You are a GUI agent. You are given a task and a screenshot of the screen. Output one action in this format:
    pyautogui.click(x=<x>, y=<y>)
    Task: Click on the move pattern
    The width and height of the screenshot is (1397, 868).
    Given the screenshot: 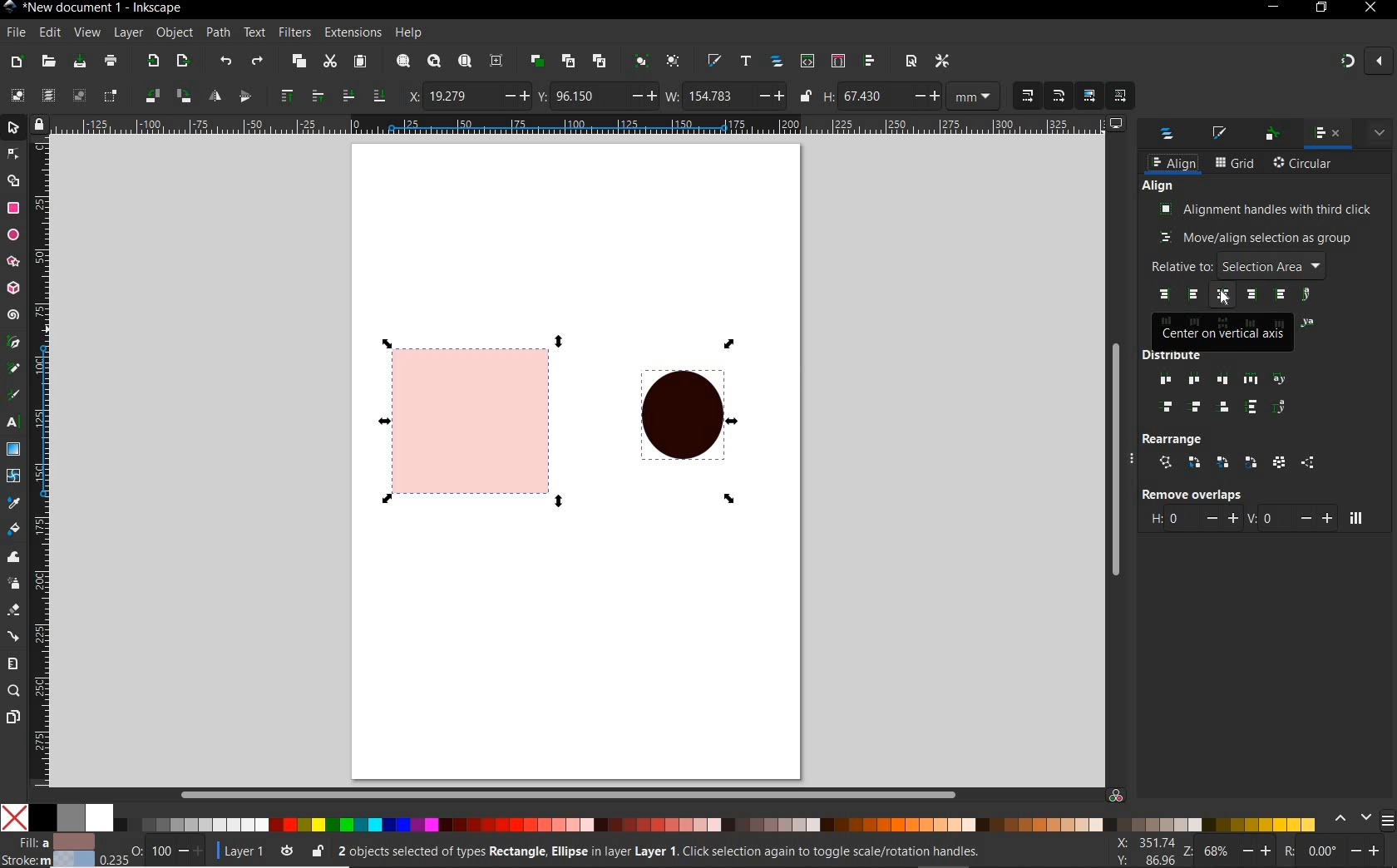 What is the action you would take?
    pyautogui.click(x=1118, y=96)
    